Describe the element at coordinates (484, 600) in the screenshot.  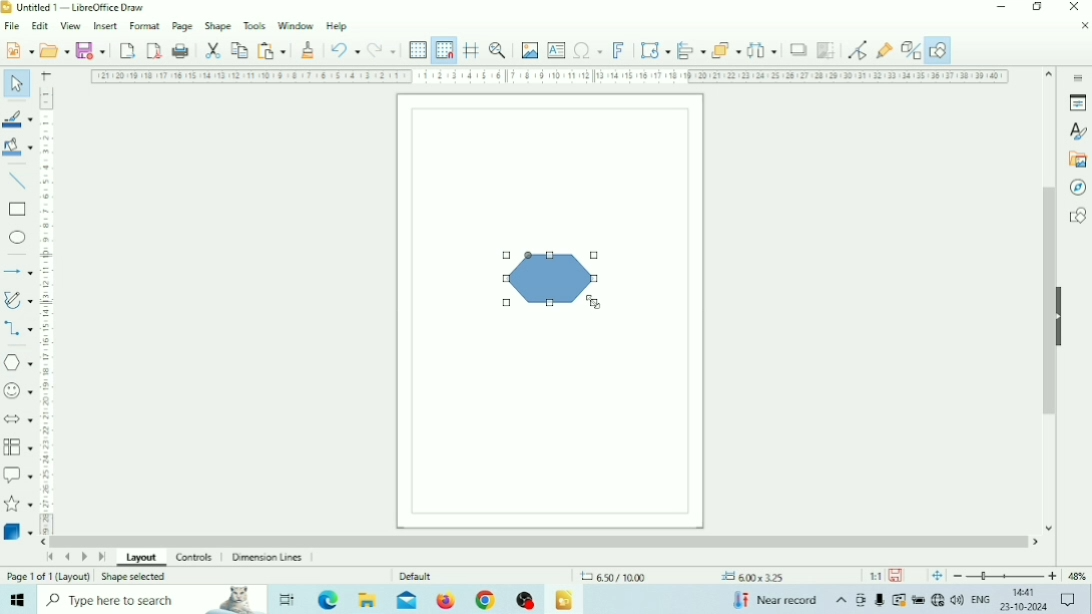
I see `Google Chrome` at that location.